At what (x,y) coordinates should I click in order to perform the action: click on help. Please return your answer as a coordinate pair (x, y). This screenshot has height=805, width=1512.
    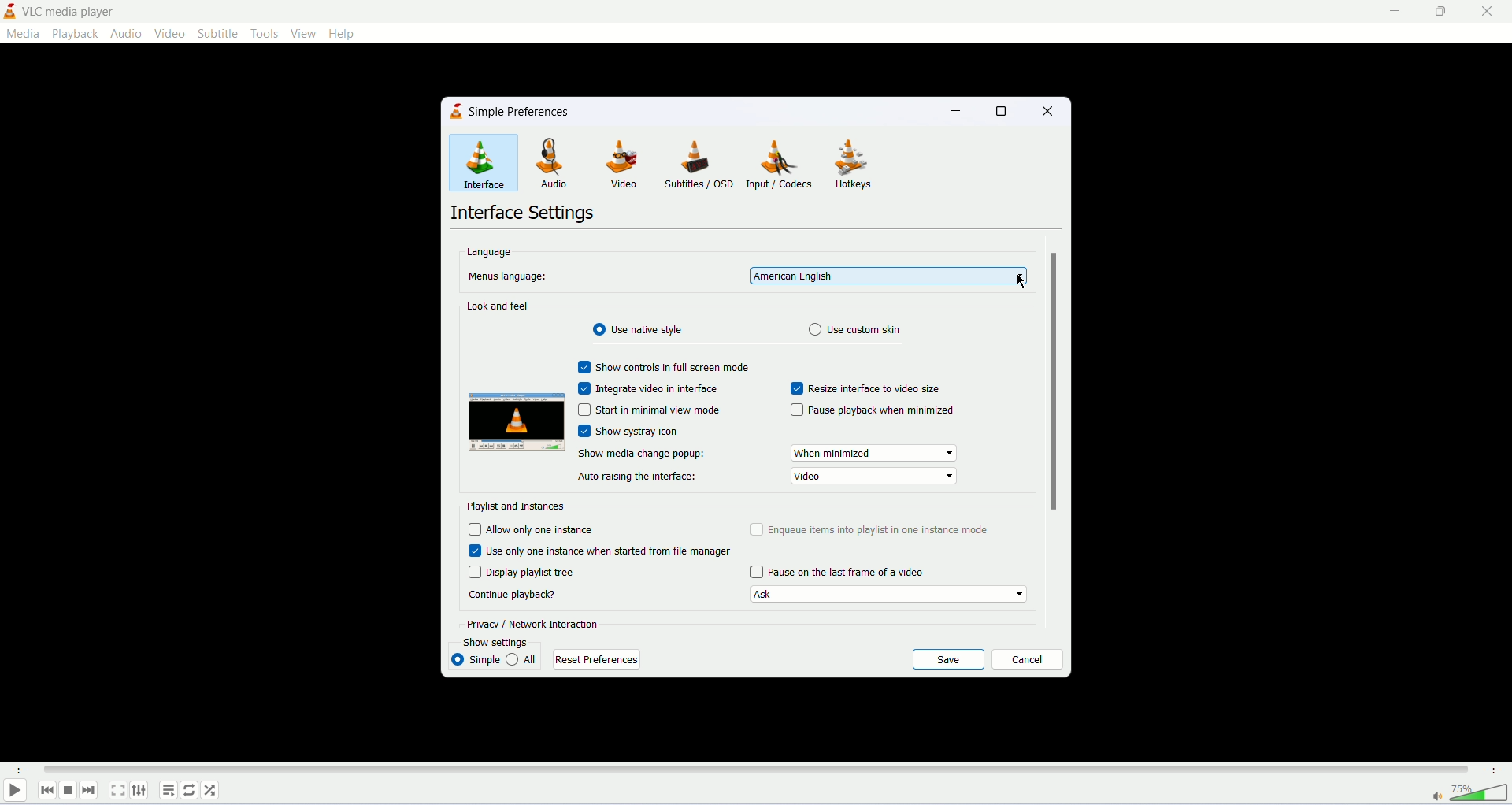
    Looking at the image, I should click on (346, 35).